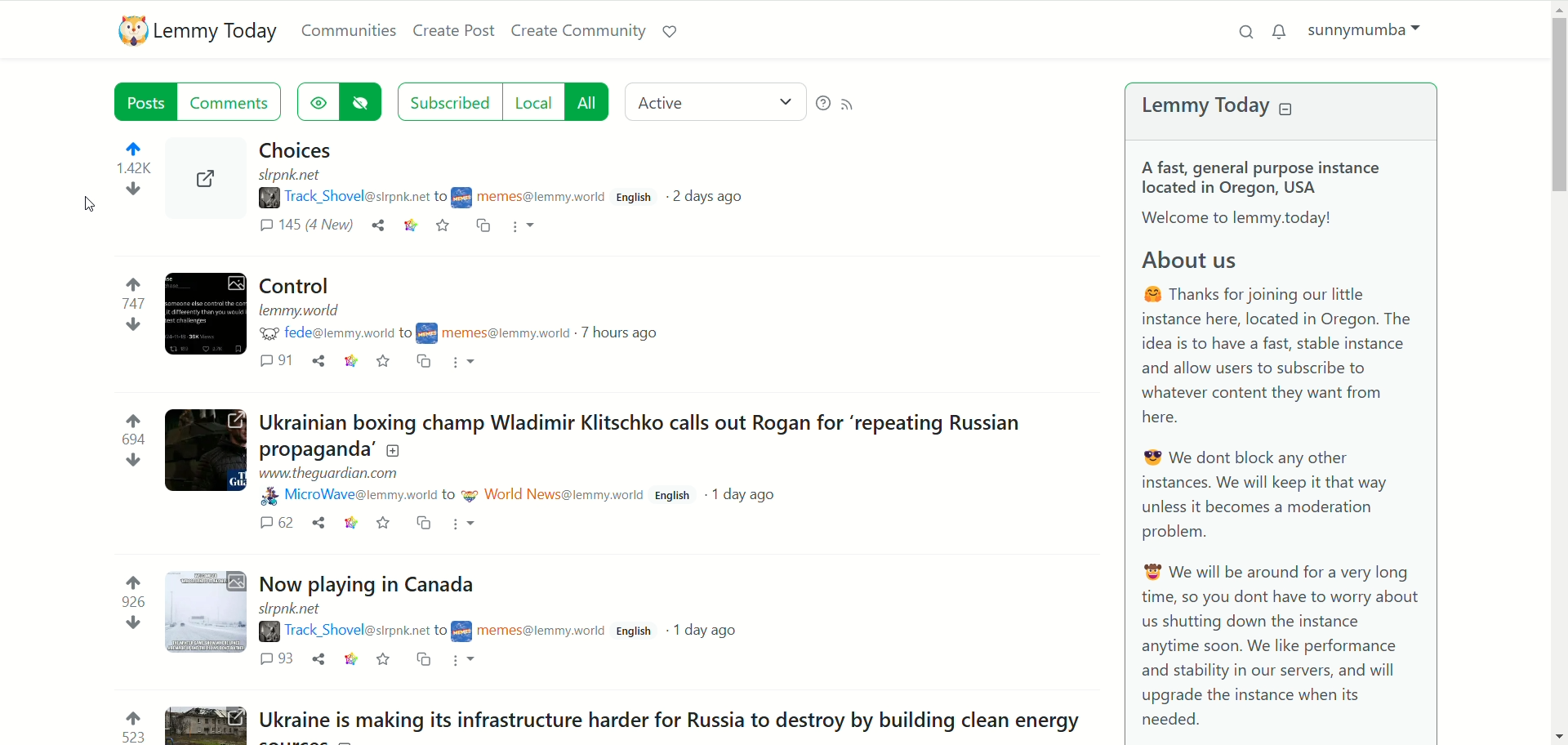 The image size is (1568, 745). Describe the element at coordinates (1280, 356) in the screenshot. I see `@ Thanks for joining our little instance here, located in Oregon. The idea is to have a fast, stable instance and allow users to subscribe to whatever content they want from here.` at that location.